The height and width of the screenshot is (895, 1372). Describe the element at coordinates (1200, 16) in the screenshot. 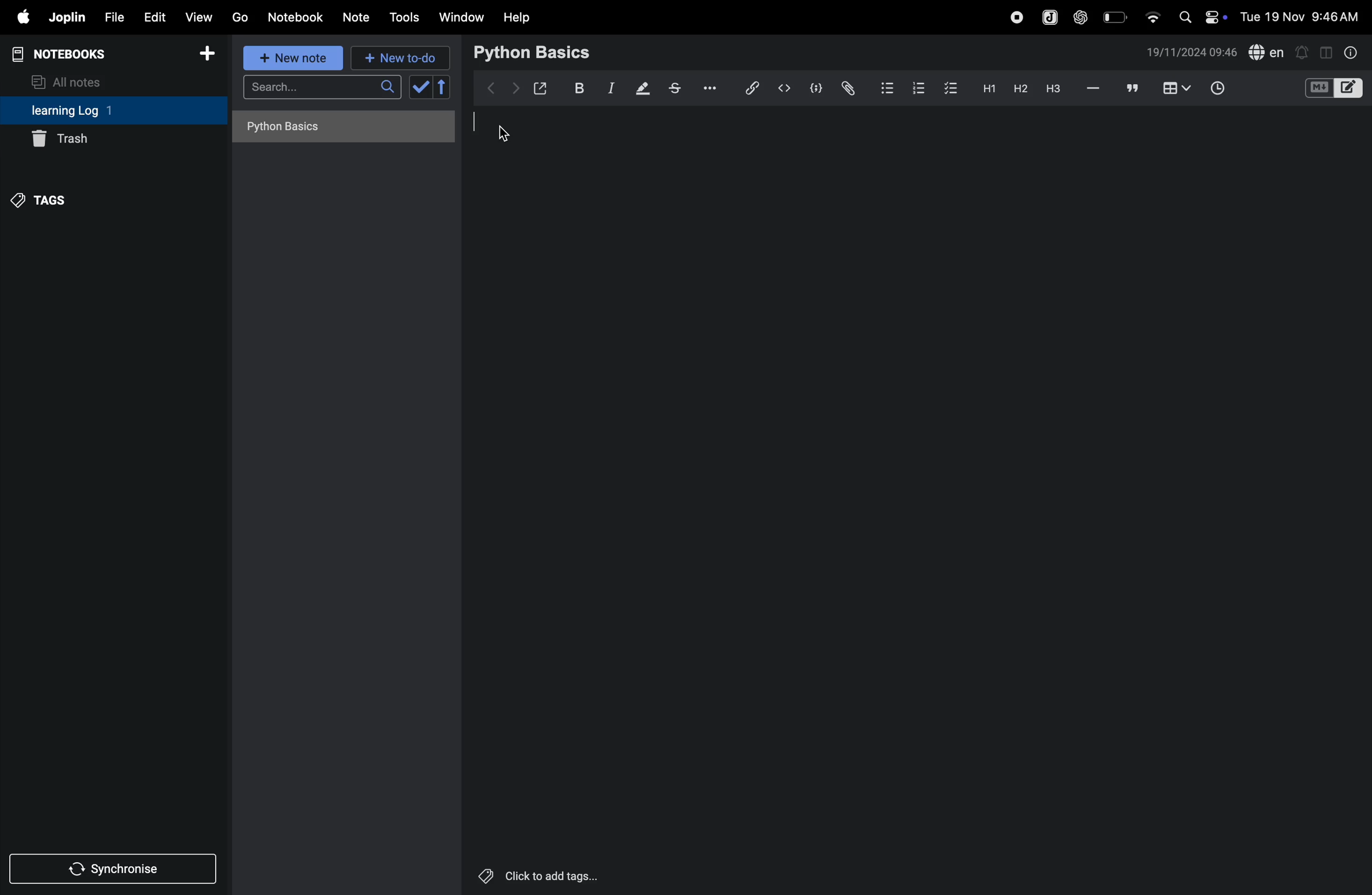

I see `apple widgets` at that location.